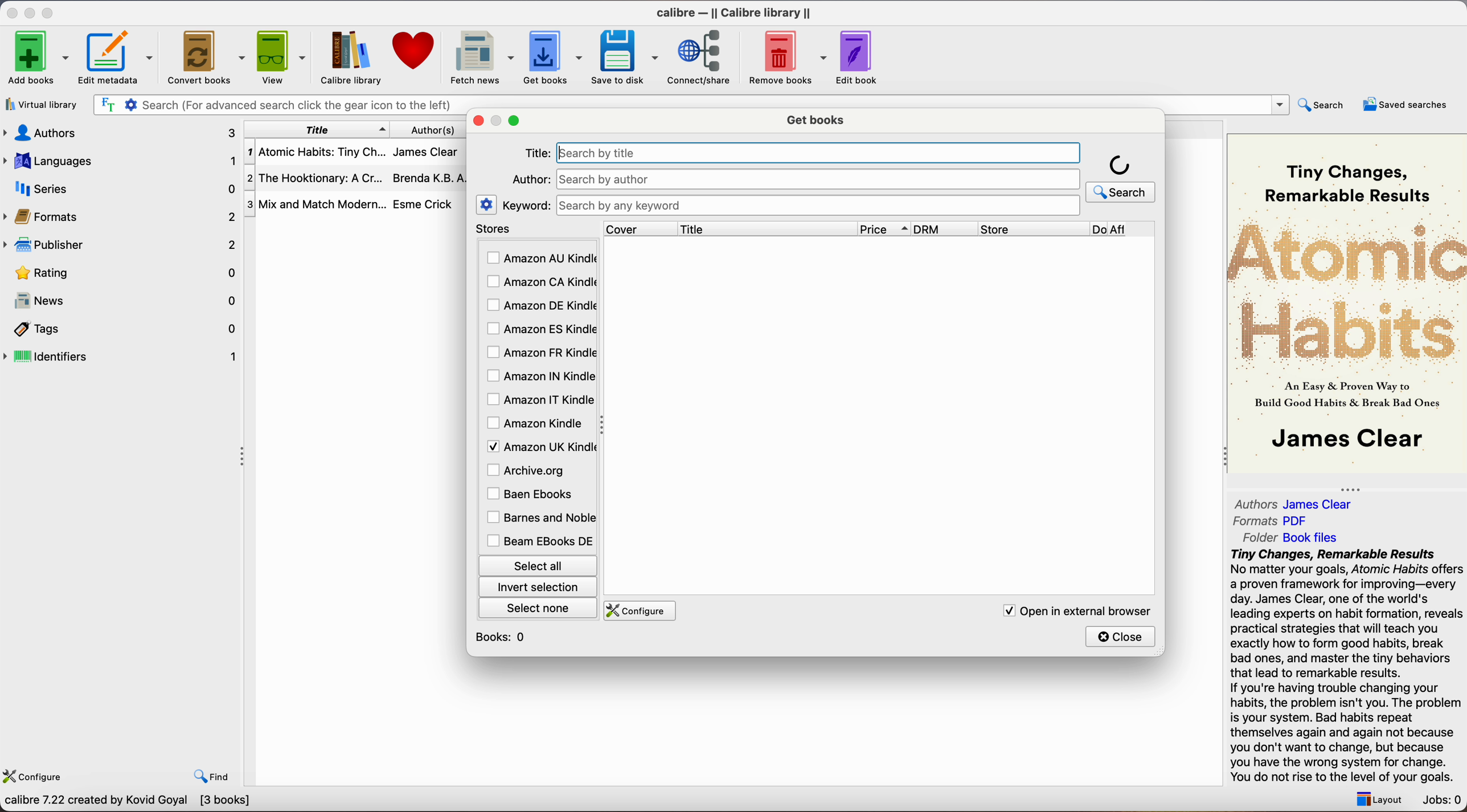 The width and height of the screenshot is (1467, 812). Describe the element at coordinates (1272, 521) in the screenshot. I see `Formats PDF` at that location.